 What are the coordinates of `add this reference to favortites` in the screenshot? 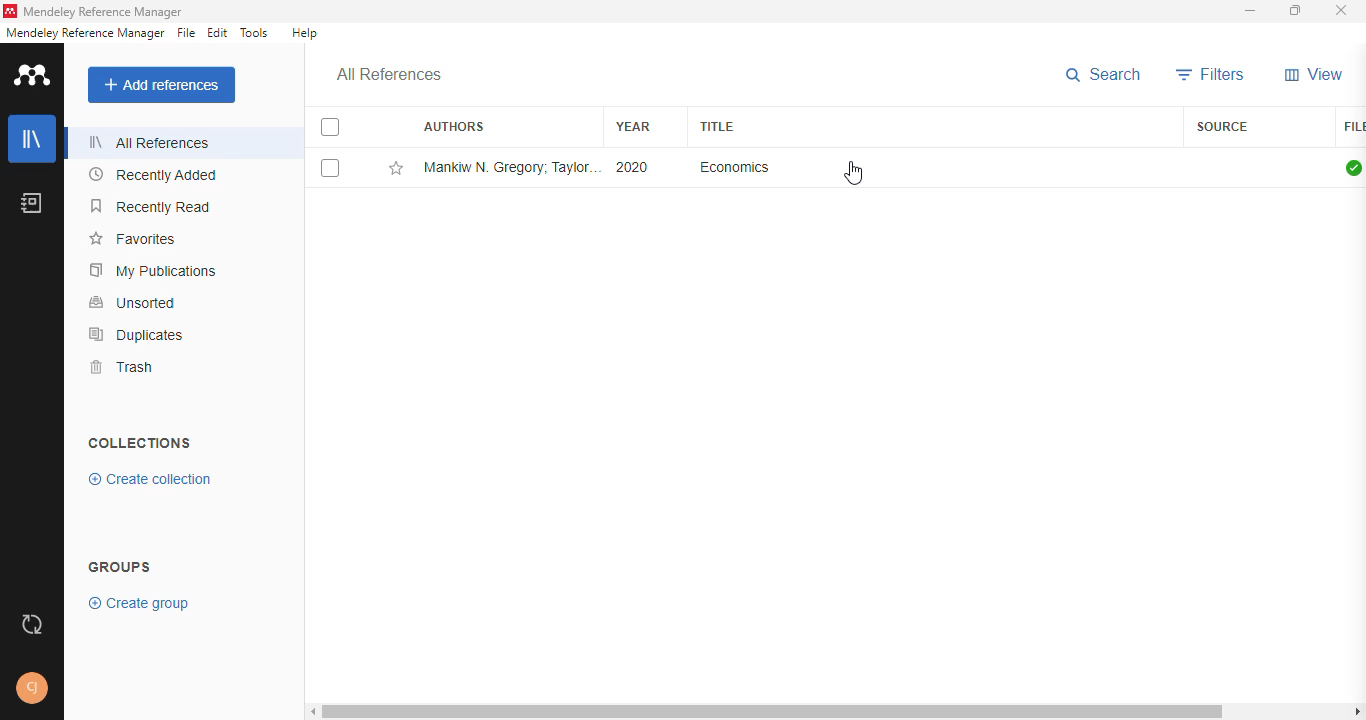 It's located at (396, 170).